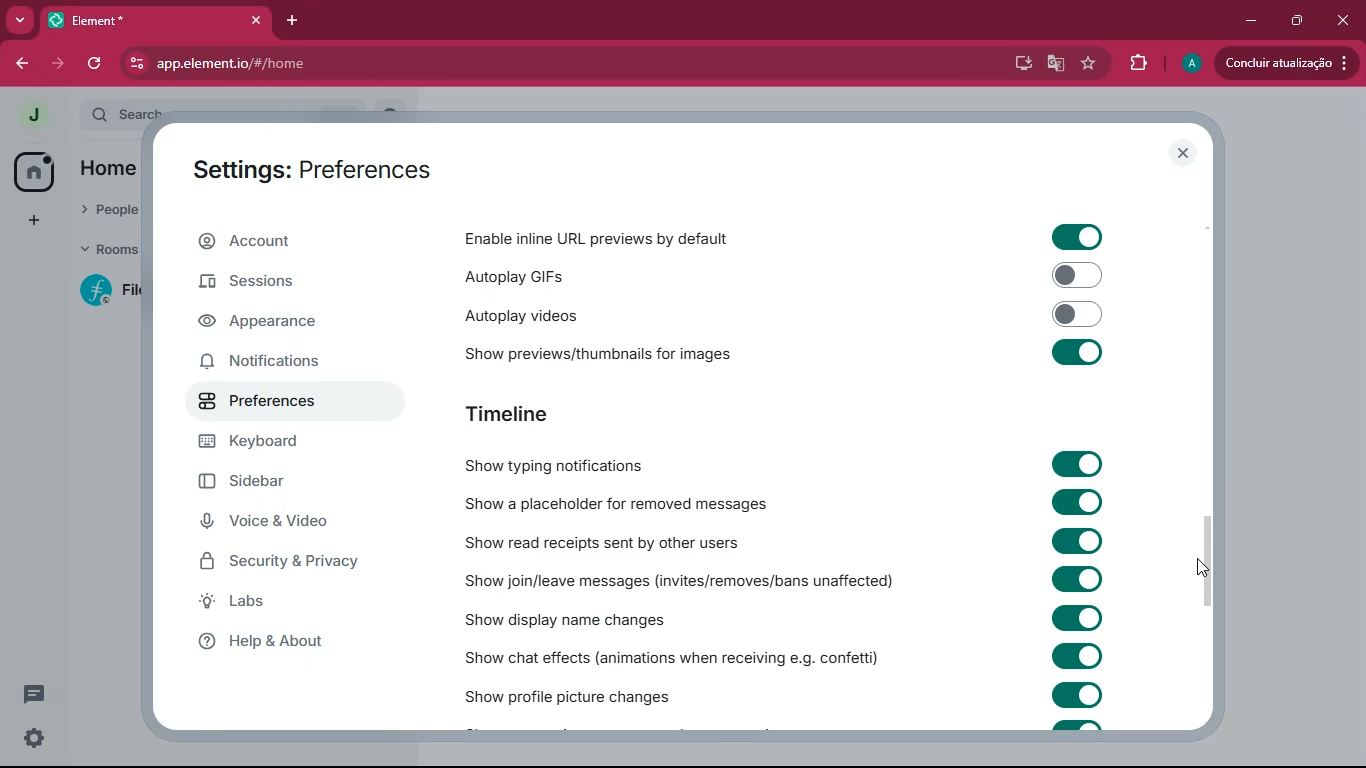 The width and height of the screenshot is (1366, 768). What do you see at coordinates (291, 562) in the screenshot?
I see `security & privacy` at bounding box center [291, 562].